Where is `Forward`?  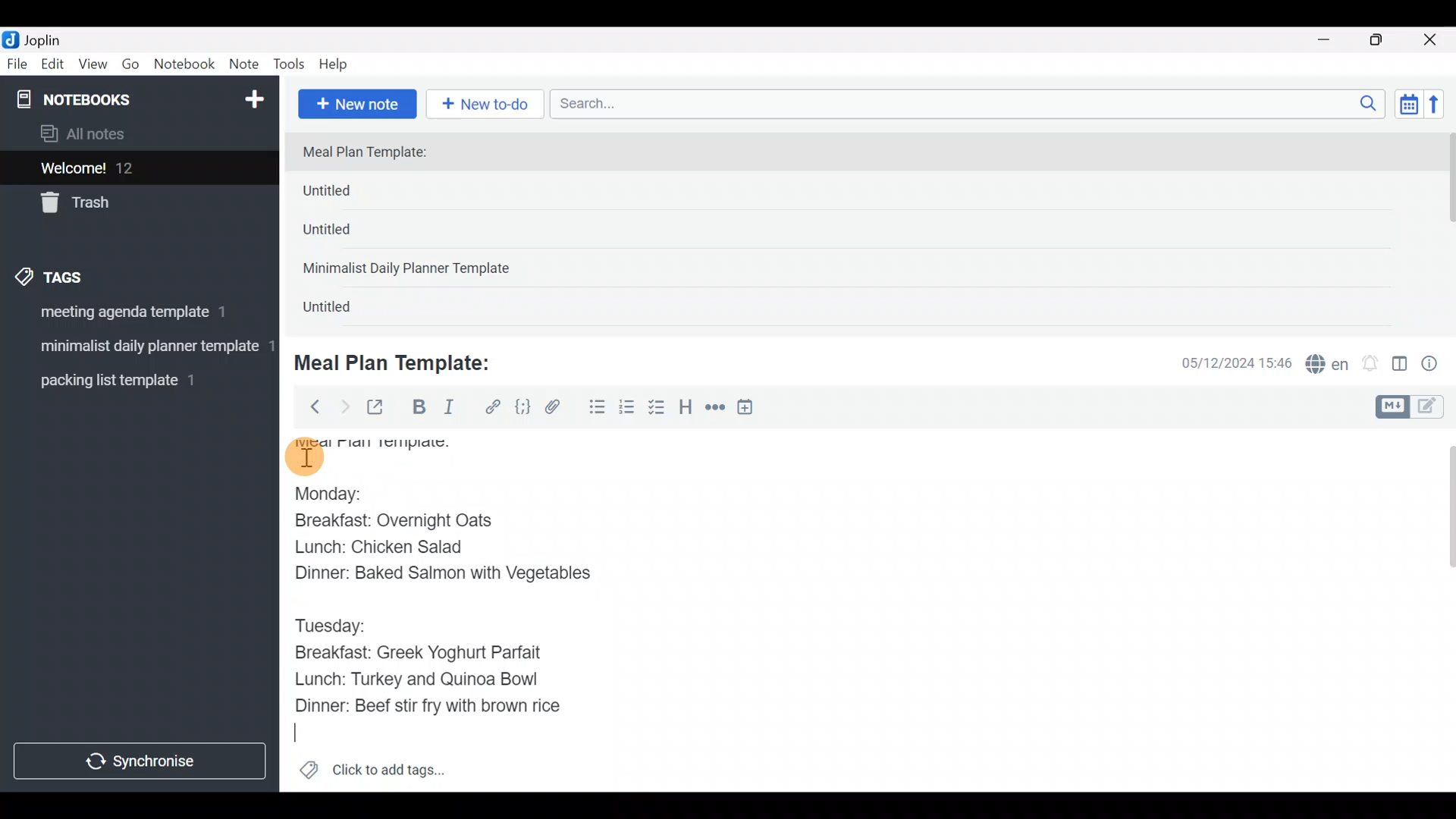
Forward is located at coordinates (344, 406).